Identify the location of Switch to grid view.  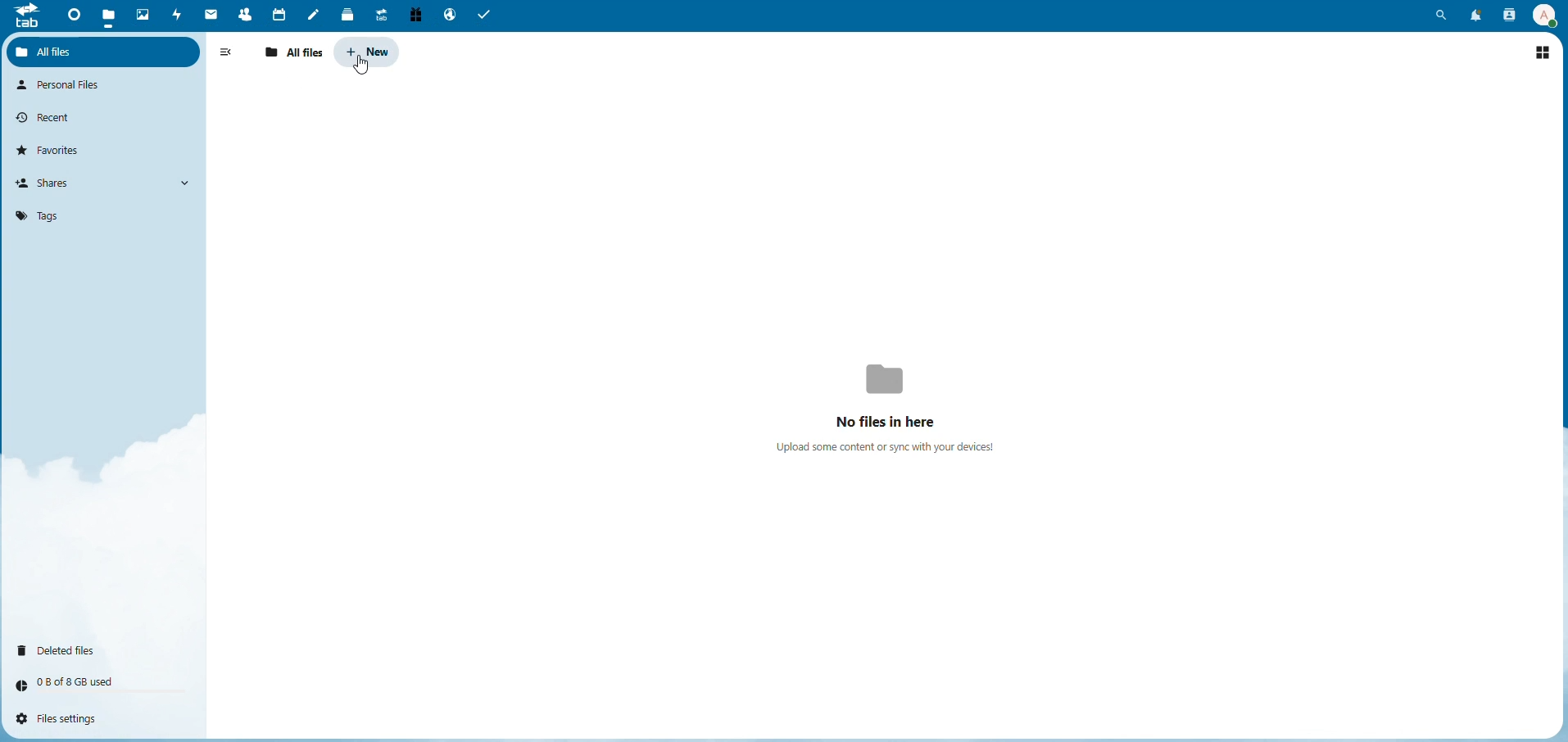
(1543, 50).